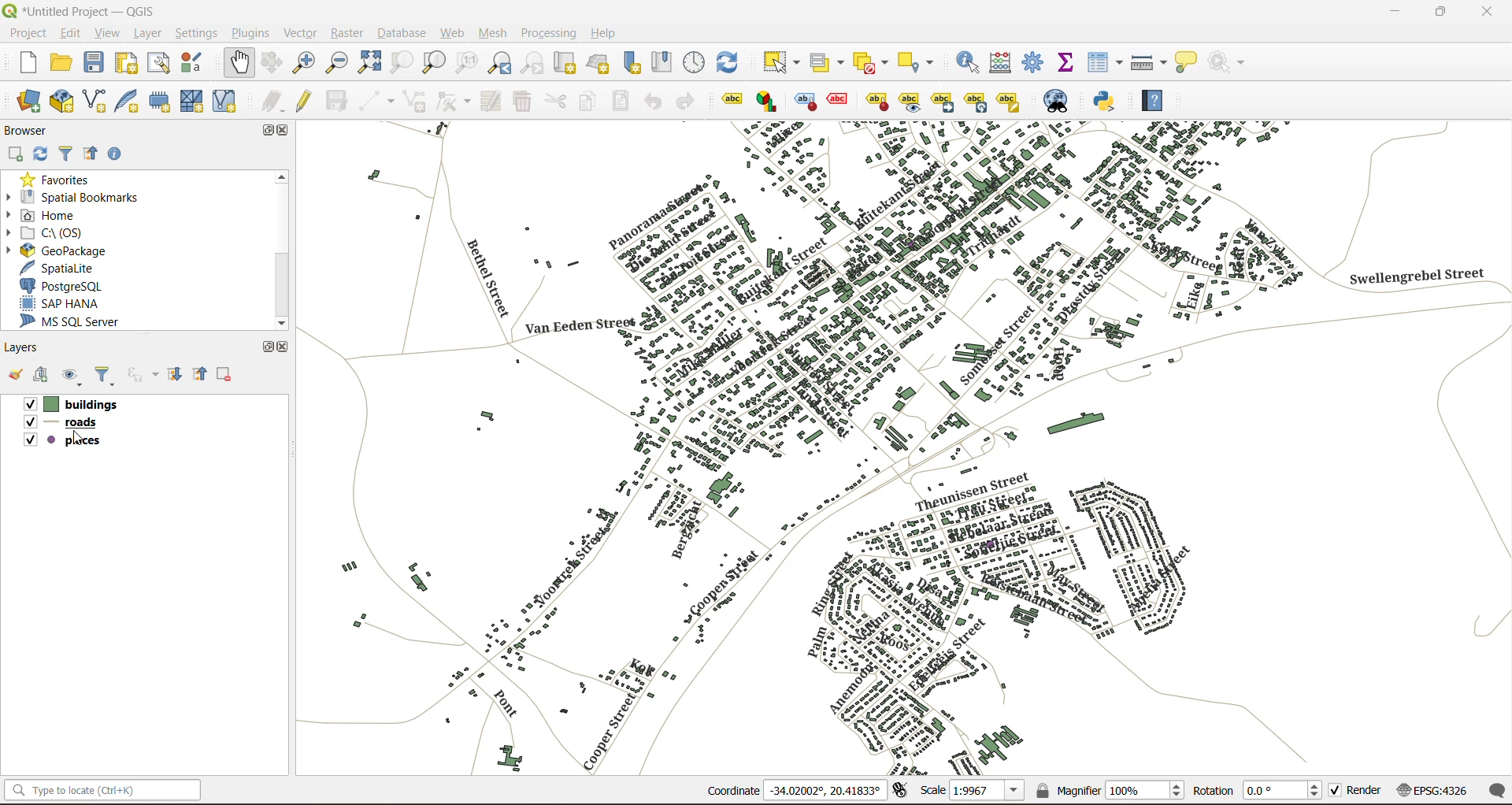 The width and height of the screenshot is (1512, 805). What do you see at coordinates (1108, 790) in the screenshot?
I see `magnifier` at bounding box center [1108, 790].